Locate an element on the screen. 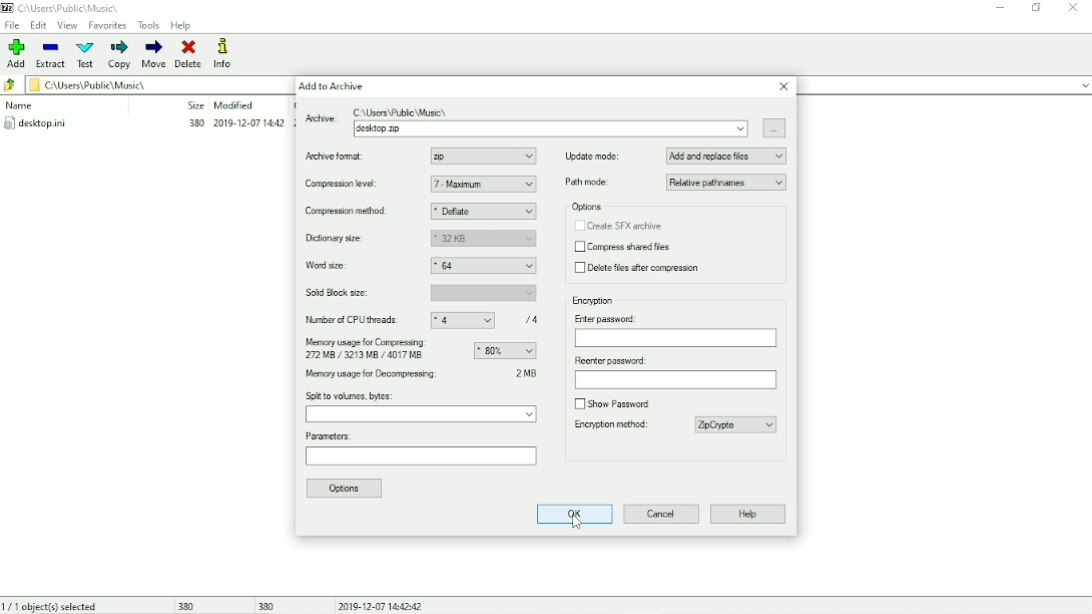  Zip is located at coordinates (483, 156).